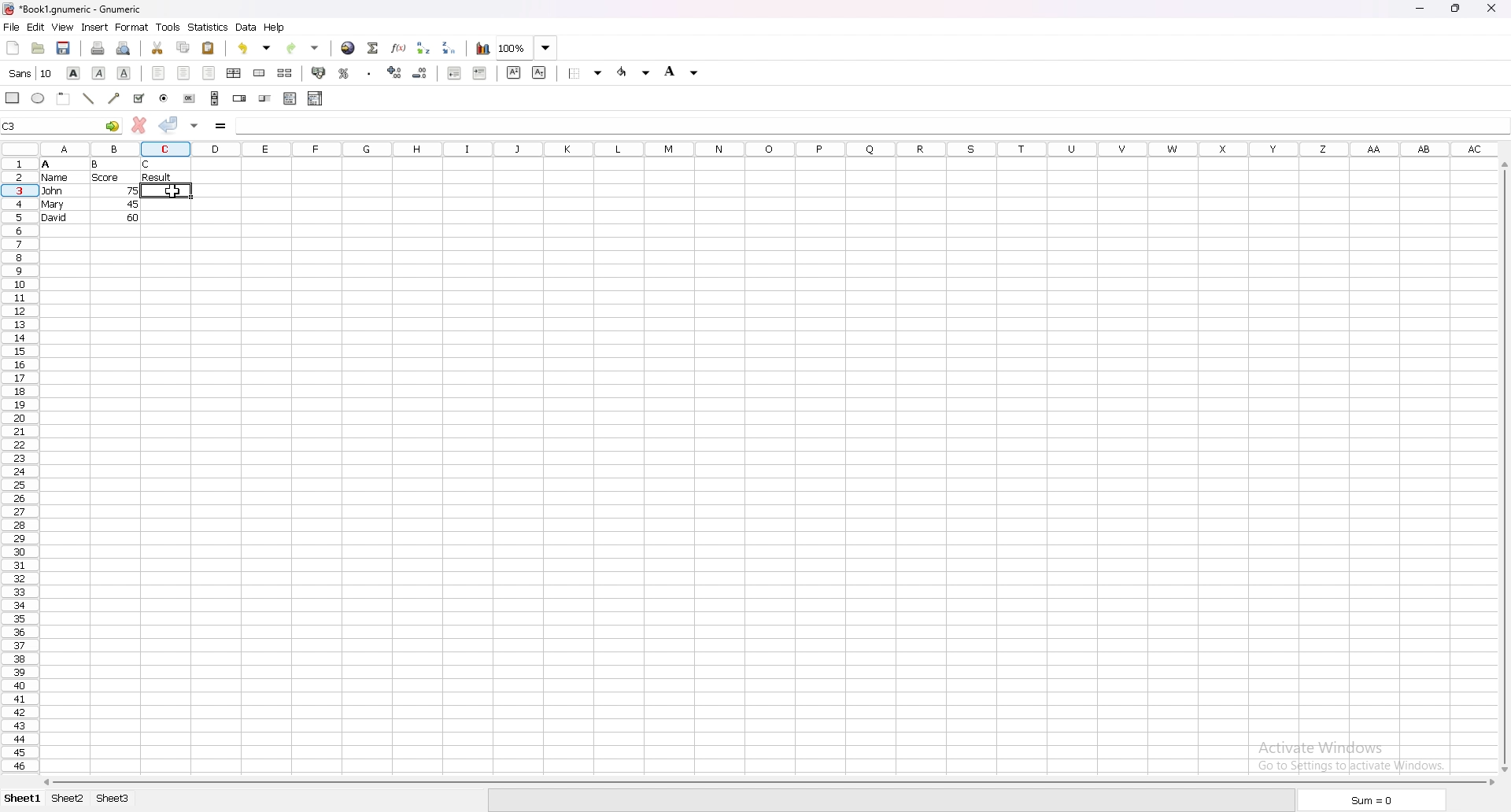 The width and height of the screenshot is (1511, 812). What do you see at coordinates (316, 99) in the screenshot?
I see `combo box` at bounding box center [316, 99].